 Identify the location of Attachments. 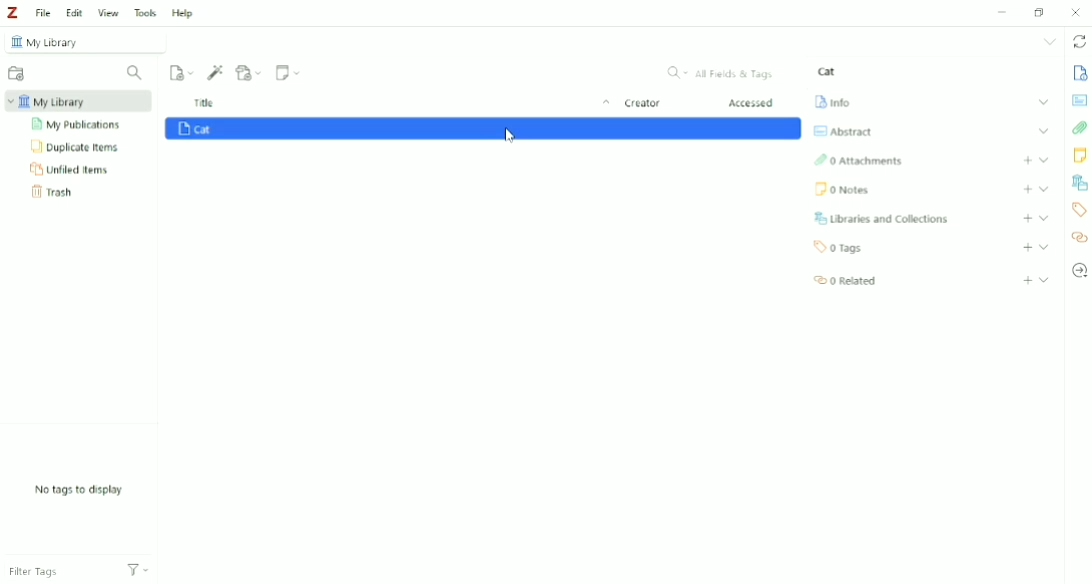
(858, 161).